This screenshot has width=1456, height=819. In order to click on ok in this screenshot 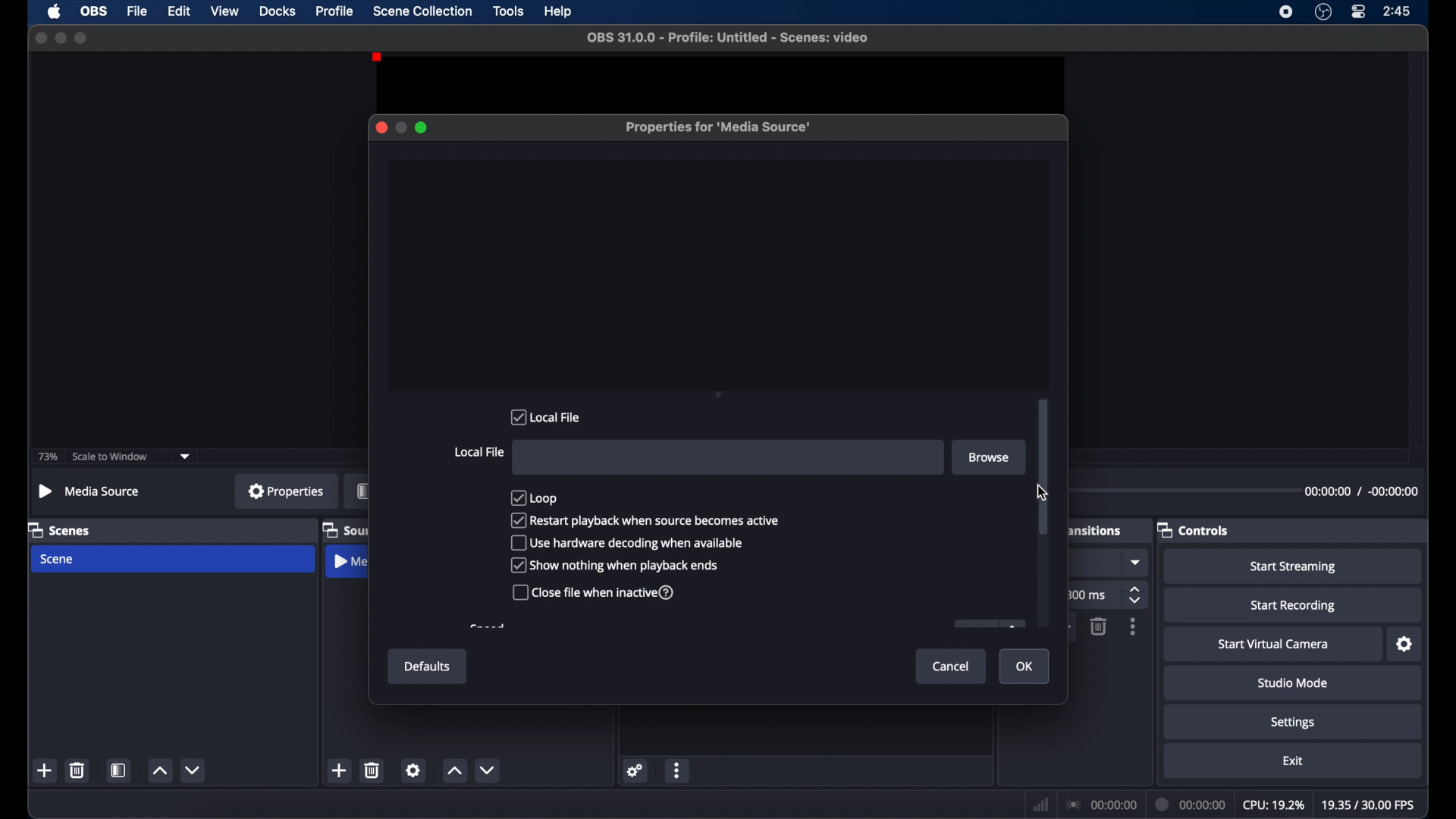, I will do `click(1027, 667)`.